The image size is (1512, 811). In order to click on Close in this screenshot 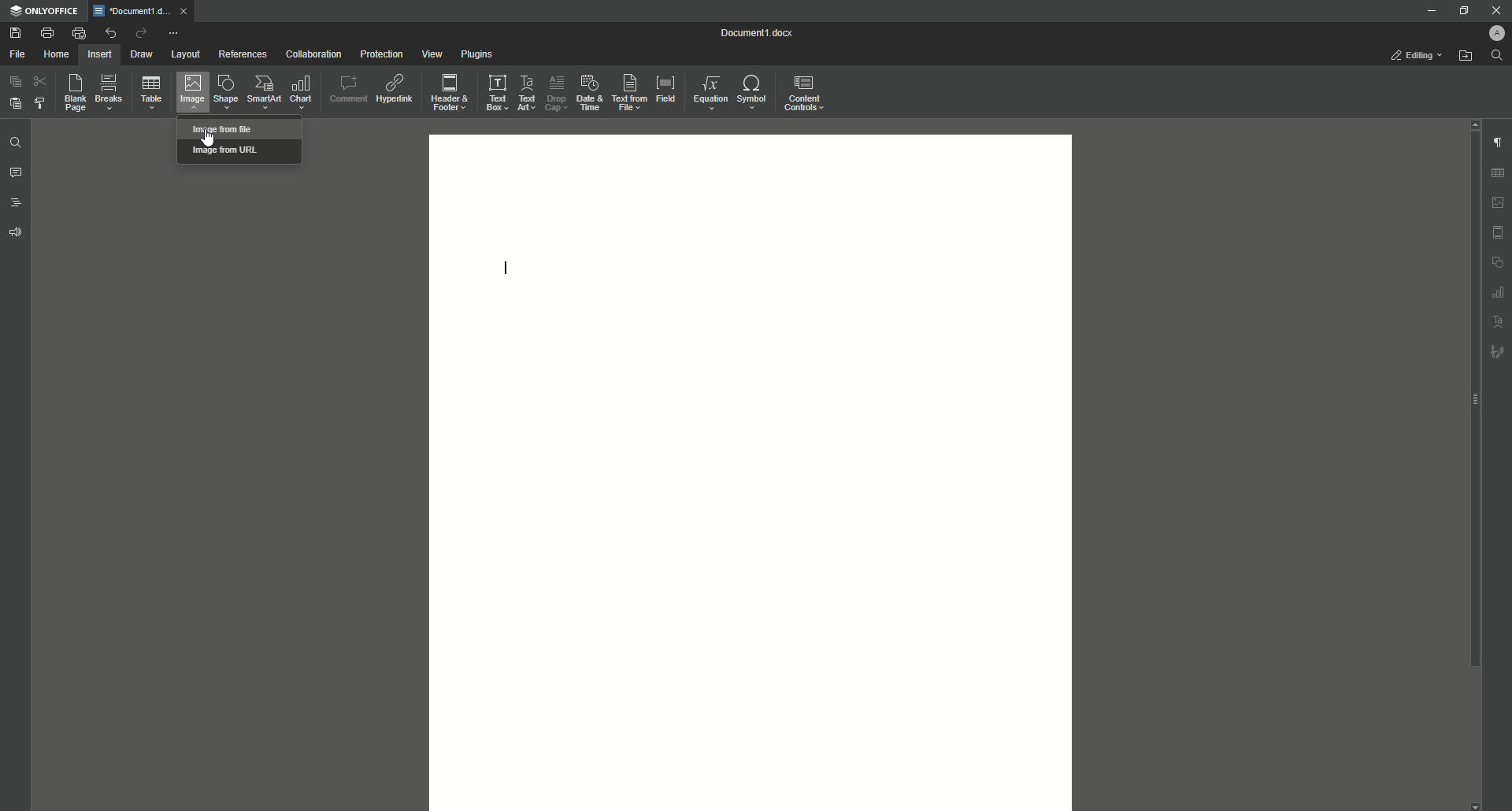, I will do `click(1493, 10)`.